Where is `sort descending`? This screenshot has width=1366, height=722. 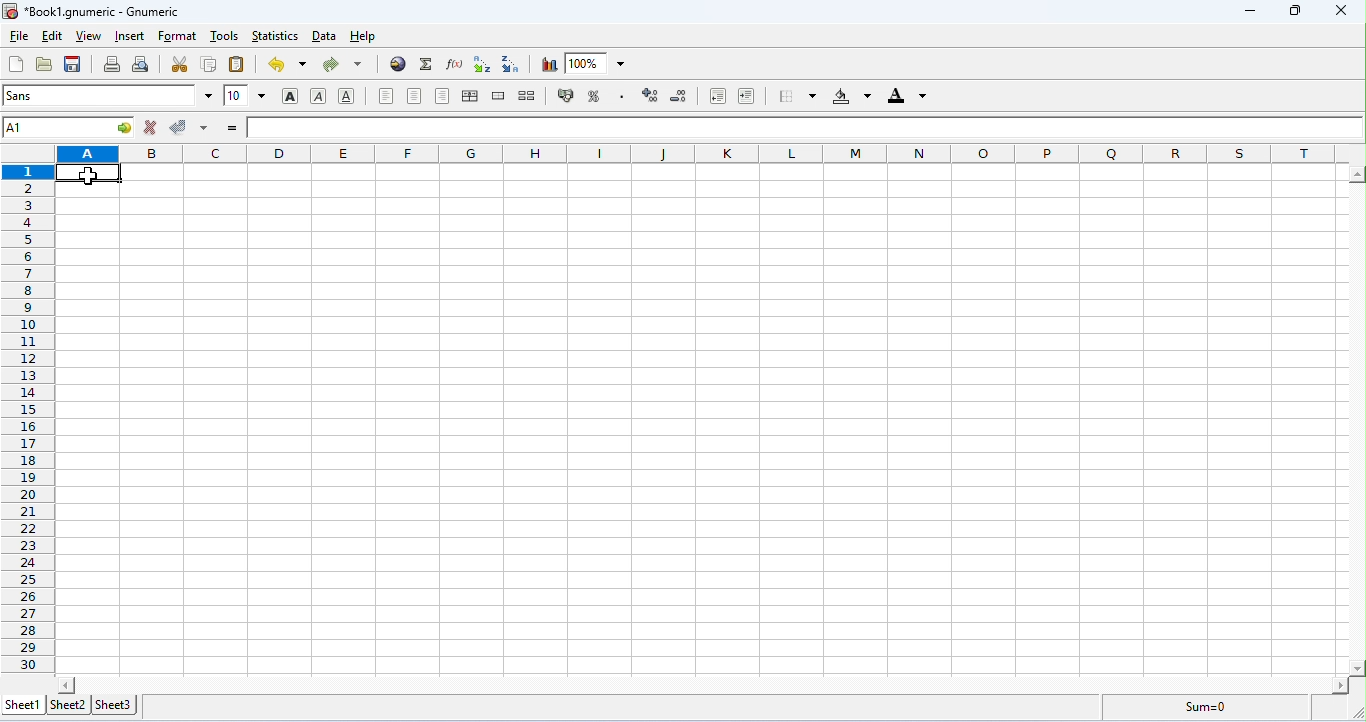
sort descending is located at coordinates (513, 65).